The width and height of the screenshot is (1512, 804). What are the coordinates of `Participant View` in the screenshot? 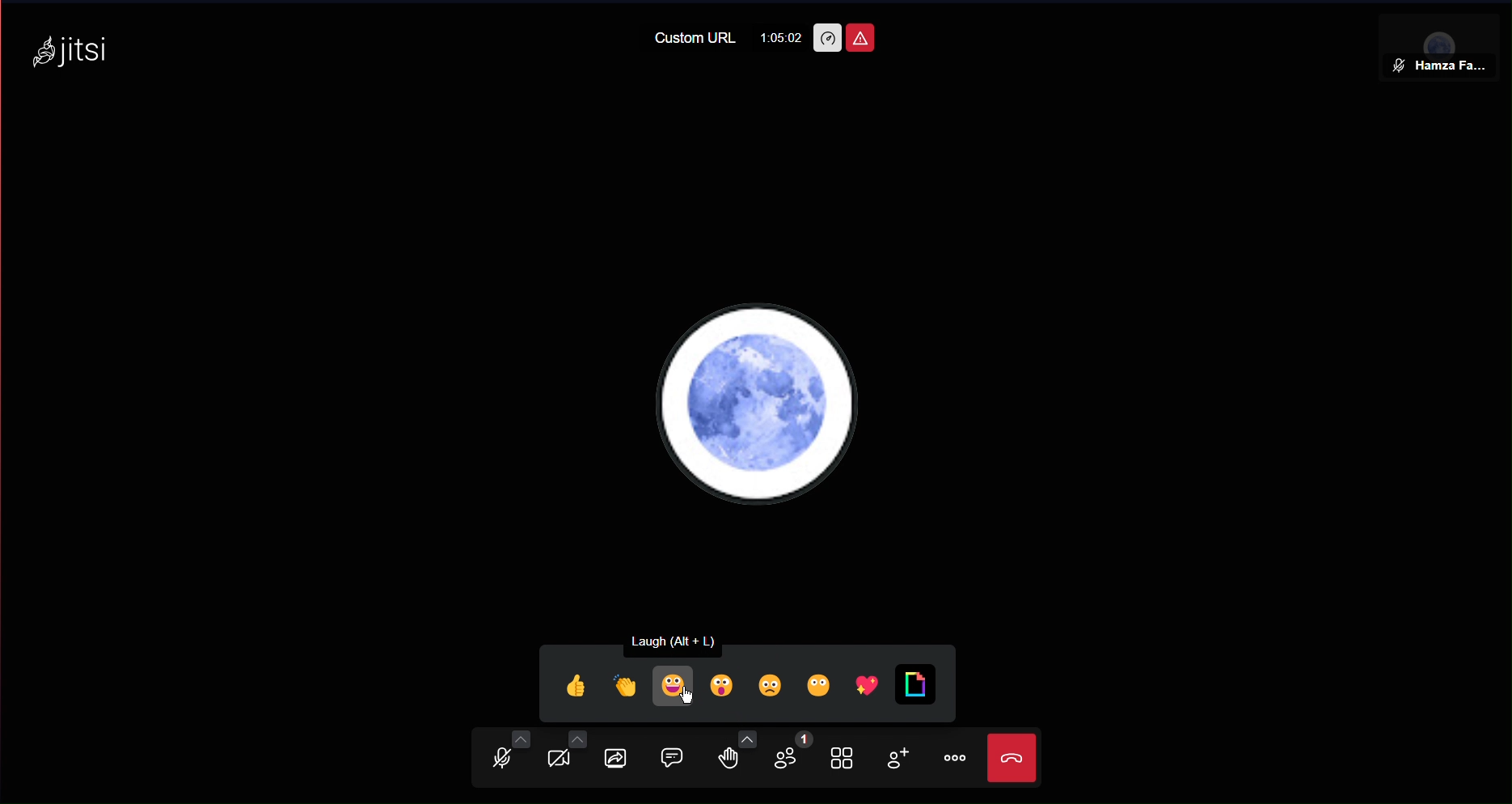 It's located at (1442, 39).